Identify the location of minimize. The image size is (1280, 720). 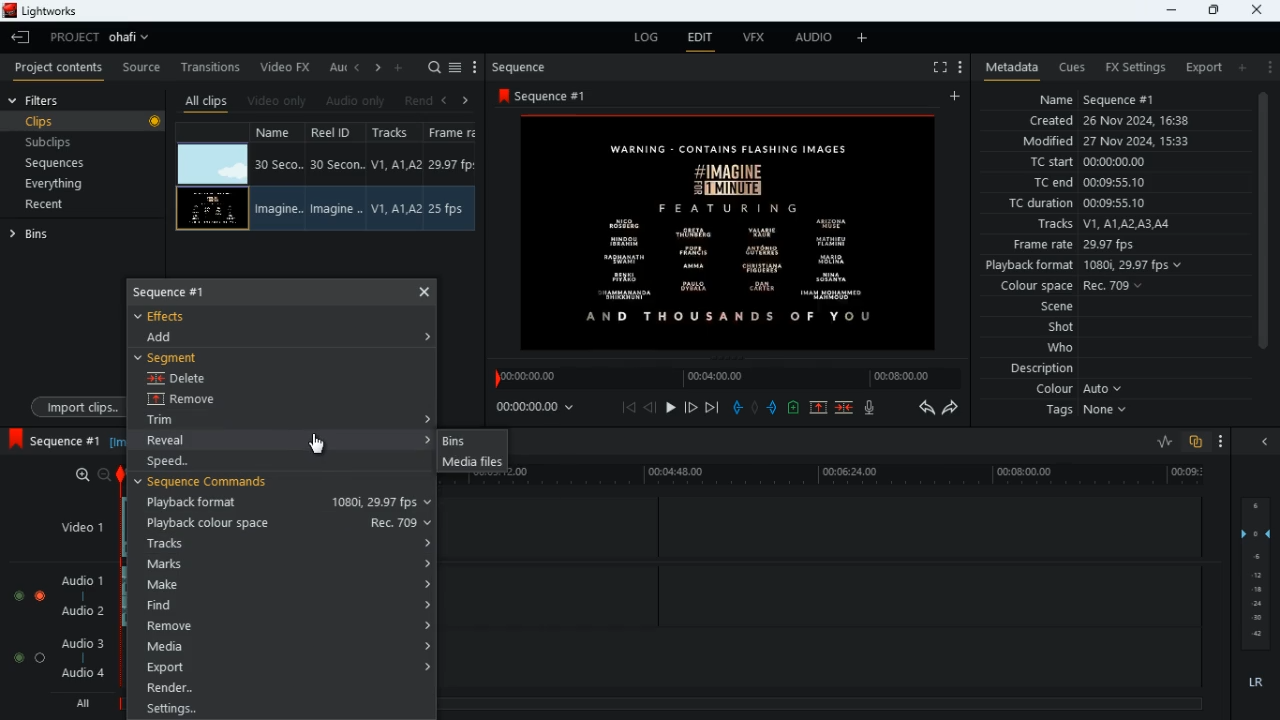
(1169, 11).